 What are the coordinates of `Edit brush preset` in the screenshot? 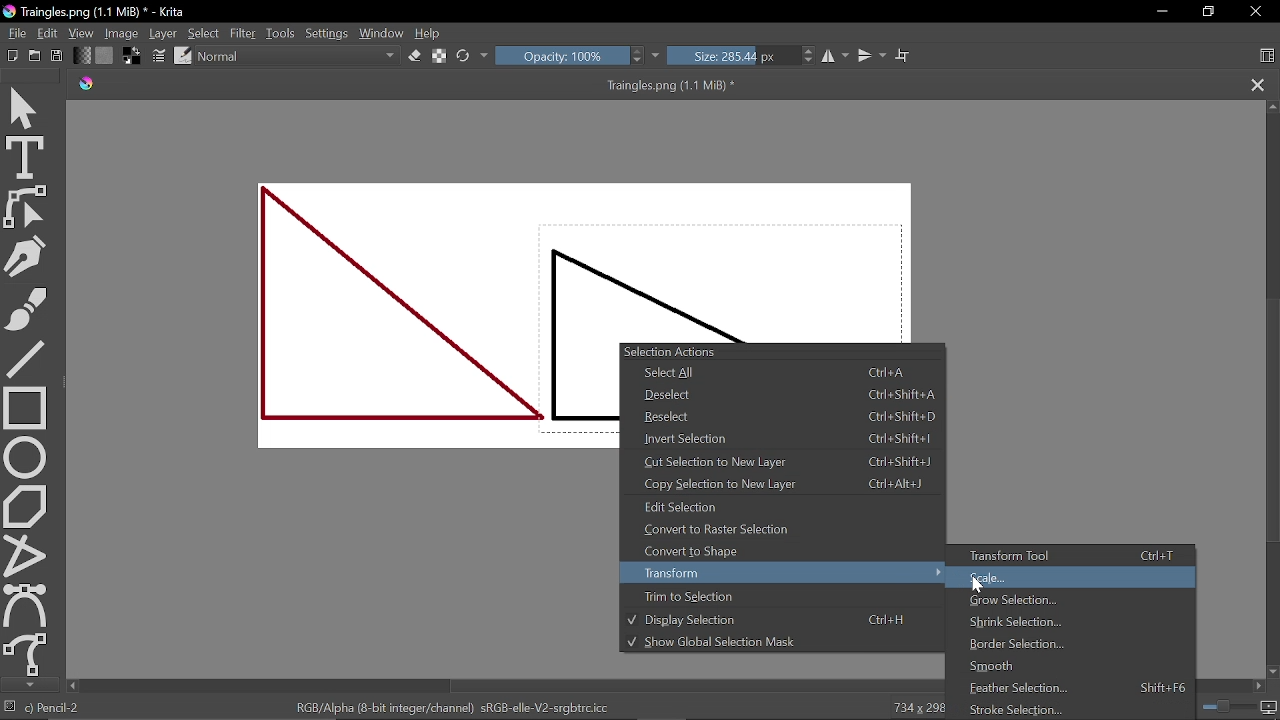 It's located at (184, 57).